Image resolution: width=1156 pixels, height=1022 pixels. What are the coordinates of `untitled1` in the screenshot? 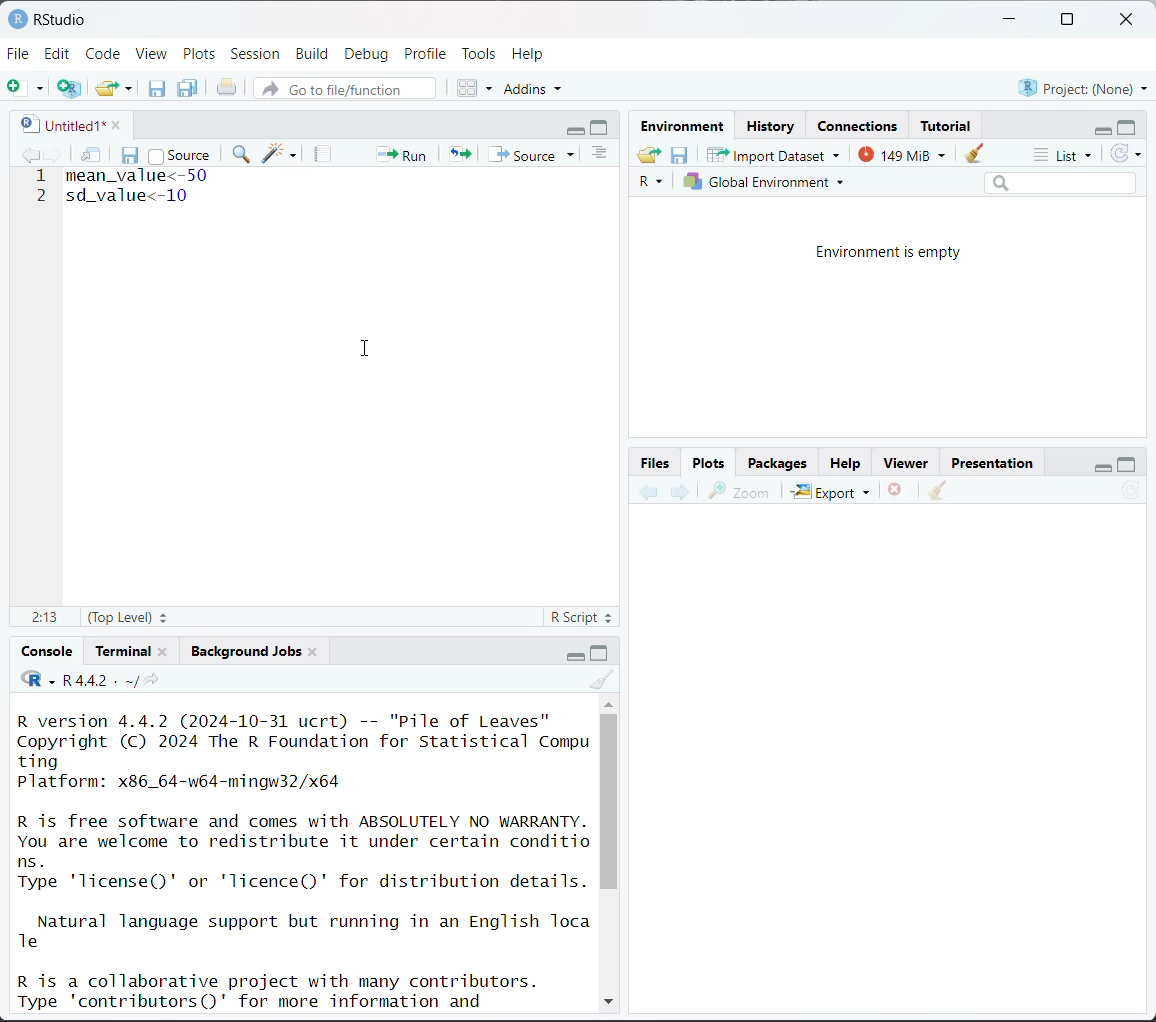 It's located at (58, 124).